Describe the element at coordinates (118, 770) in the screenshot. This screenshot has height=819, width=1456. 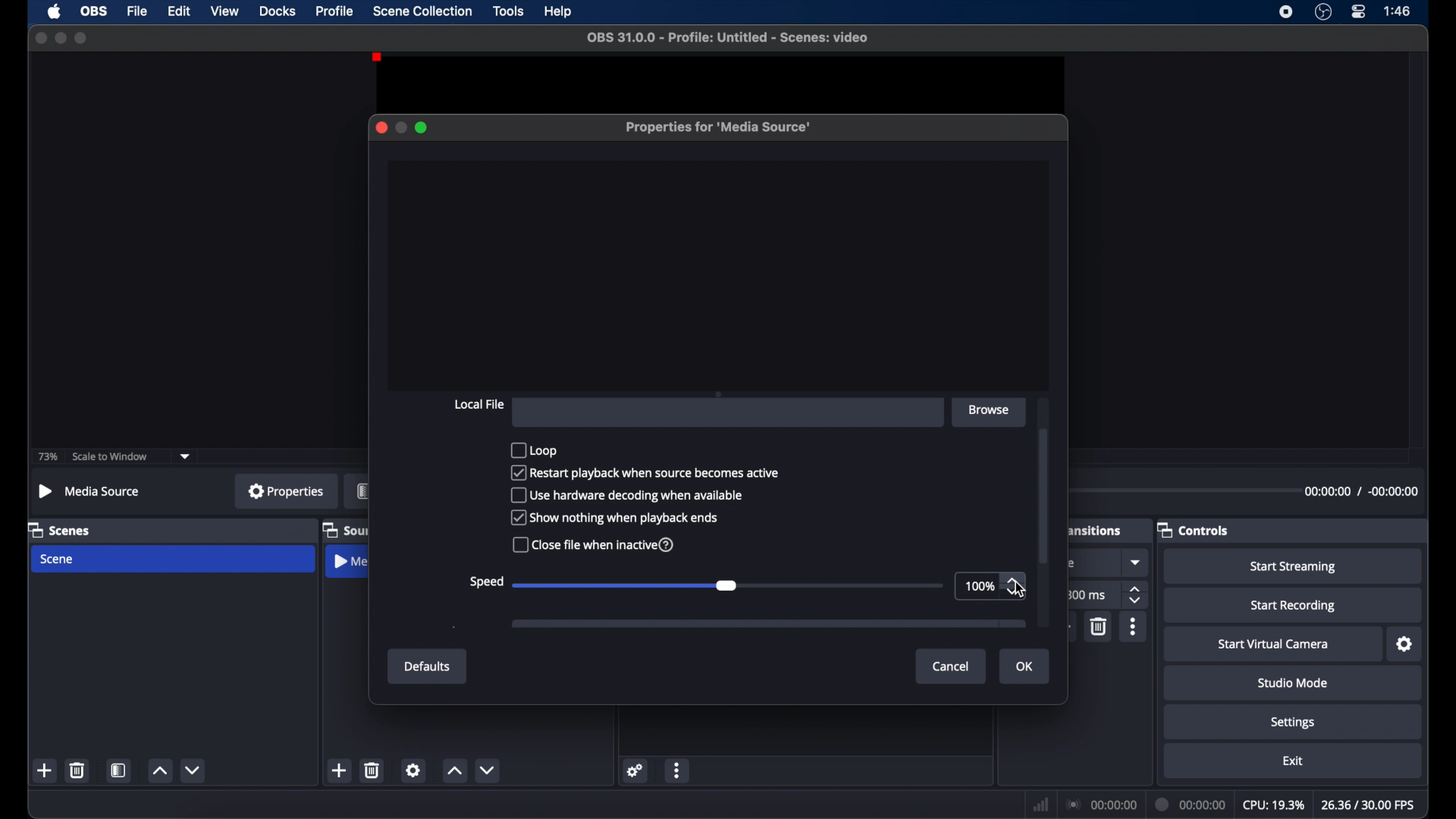
I see `scene filters` at that location.